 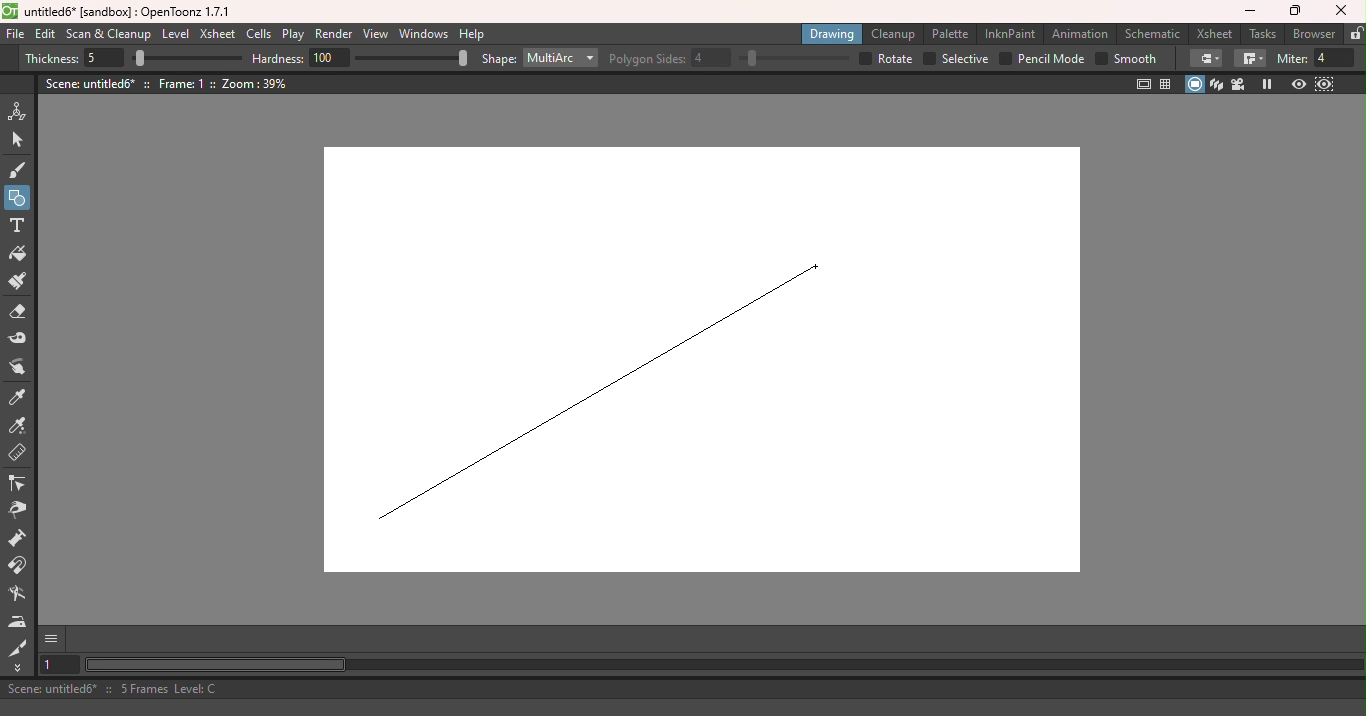 What do you see at coordinates (1314, 33) in the screenshot?
I see `Browser` at bounding box center [1314, 33].